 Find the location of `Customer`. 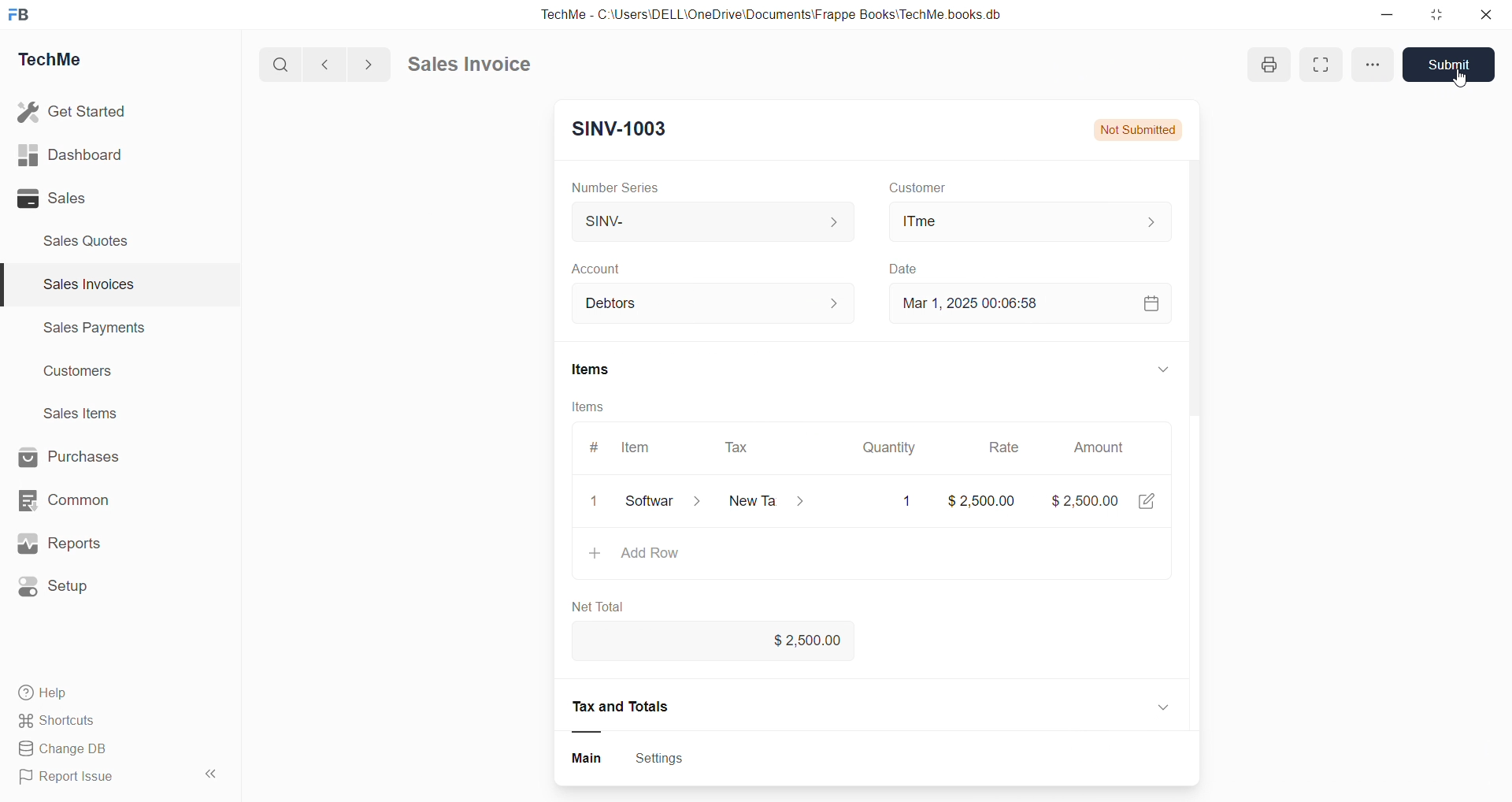

Customer is located at coordinates (925, 187).